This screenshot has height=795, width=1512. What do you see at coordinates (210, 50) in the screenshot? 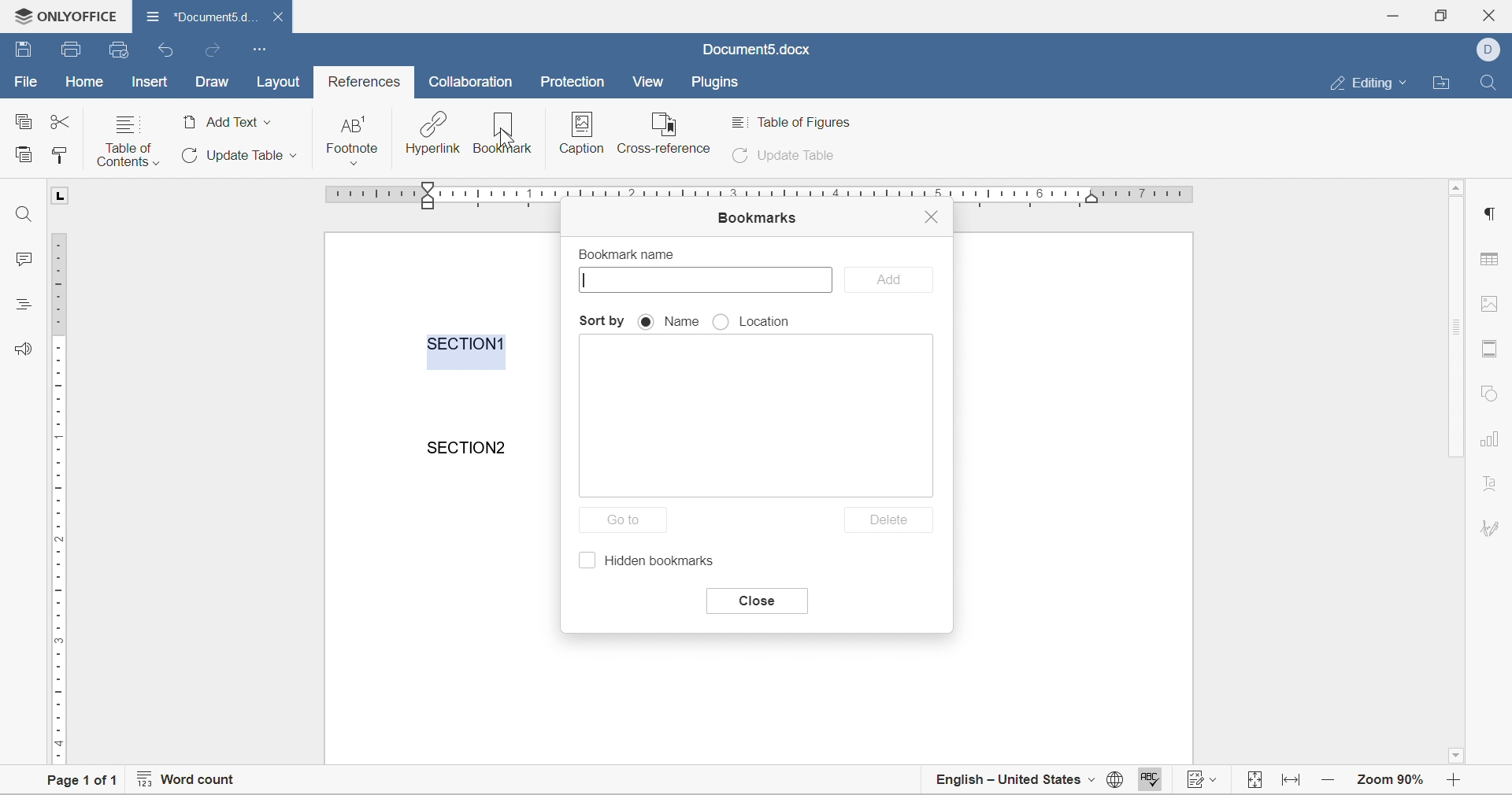
I see `redo` at bounding box center [210, 50].